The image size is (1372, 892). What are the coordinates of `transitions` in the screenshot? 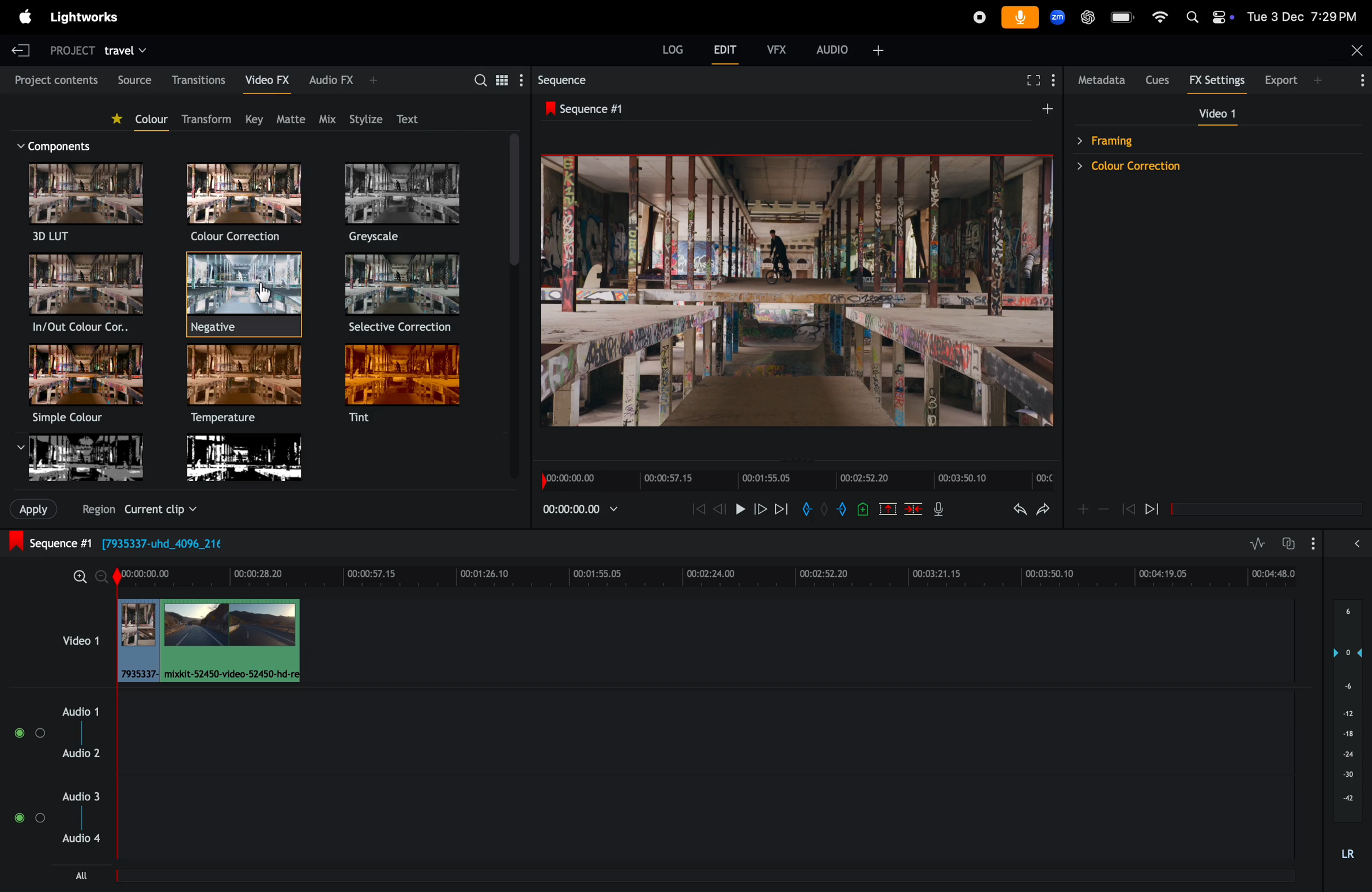 It's located at (198, 78).